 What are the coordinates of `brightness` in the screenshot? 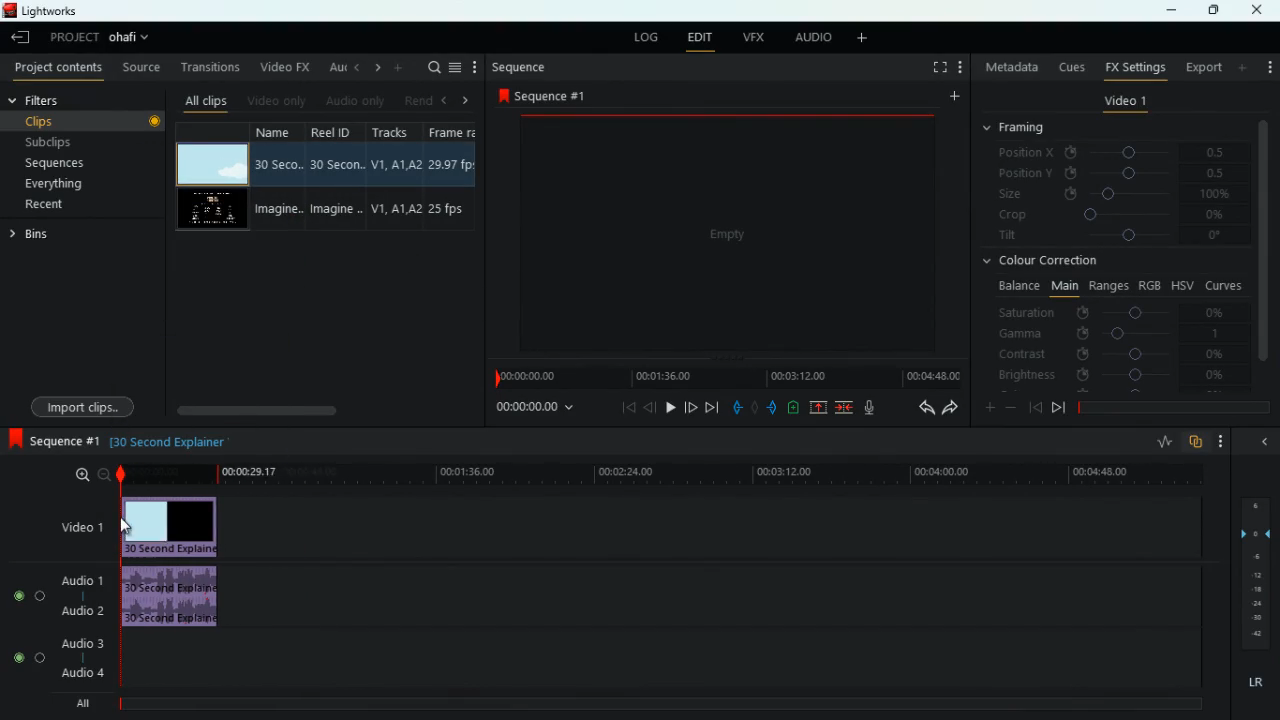 It's located at (1110, 374).